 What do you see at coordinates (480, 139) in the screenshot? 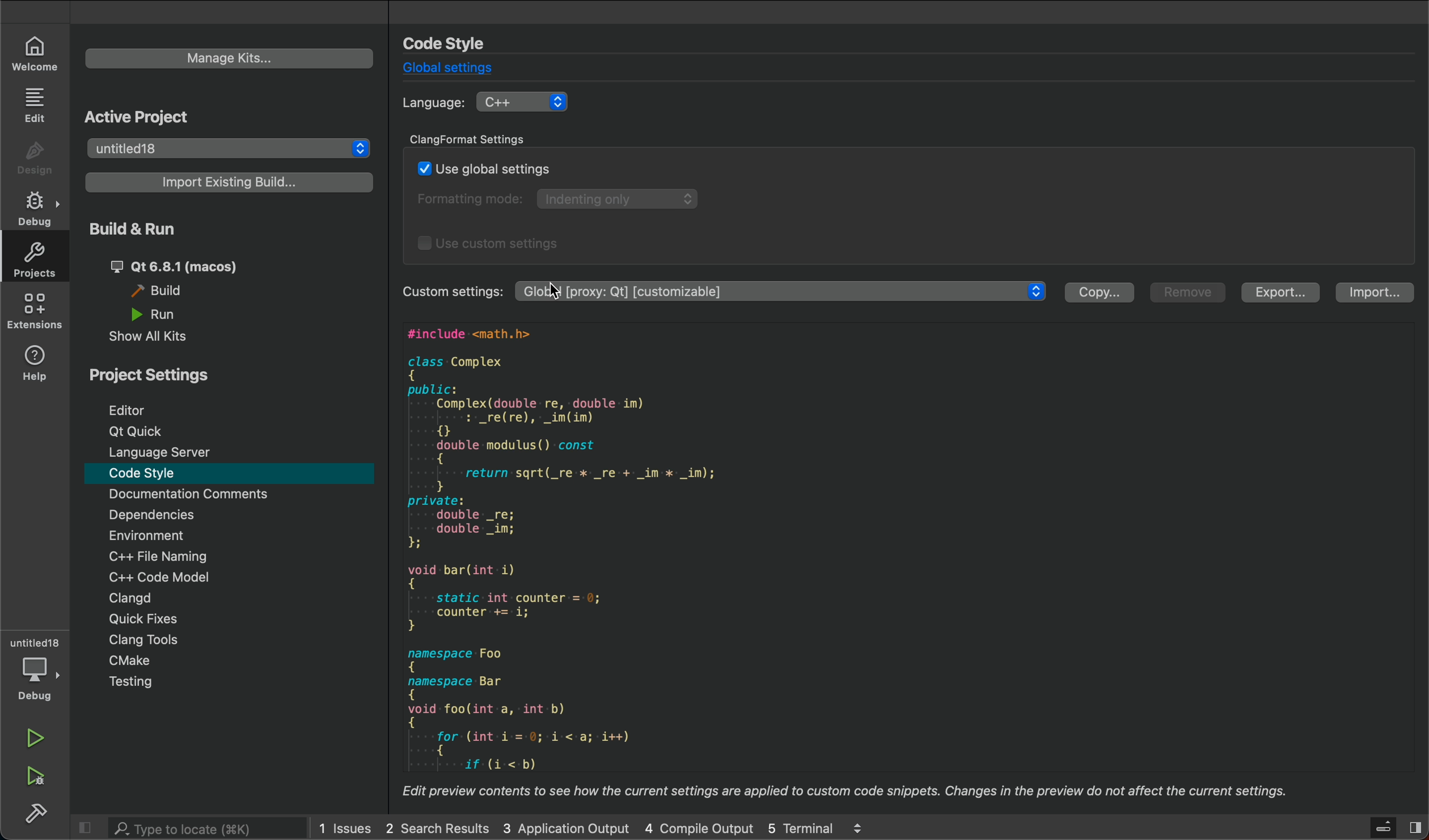
I see `clang format settings` at bounding box center [480, 139].